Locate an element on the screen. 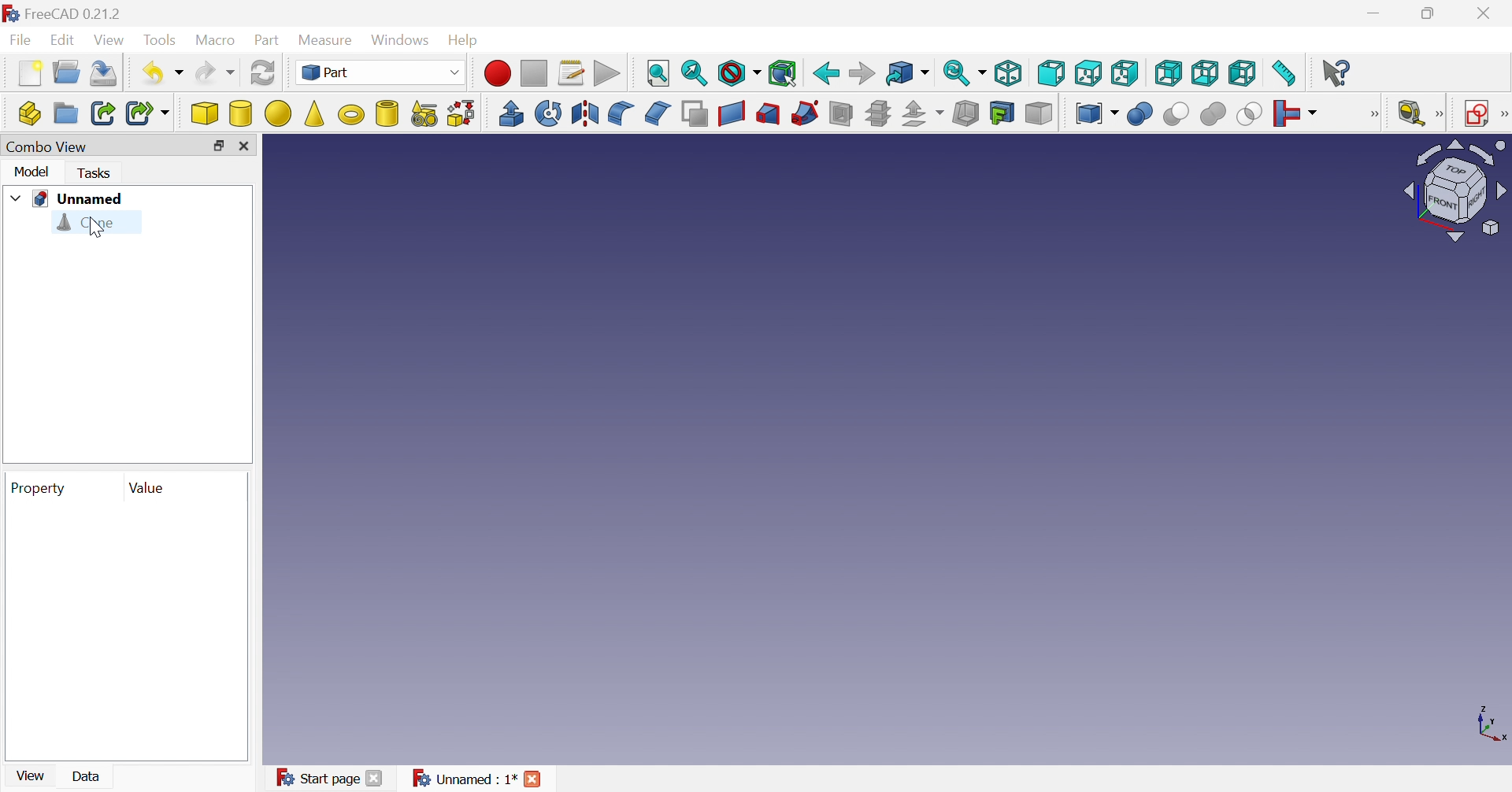  [Sketcher] is located at coordinates (1503, 116).